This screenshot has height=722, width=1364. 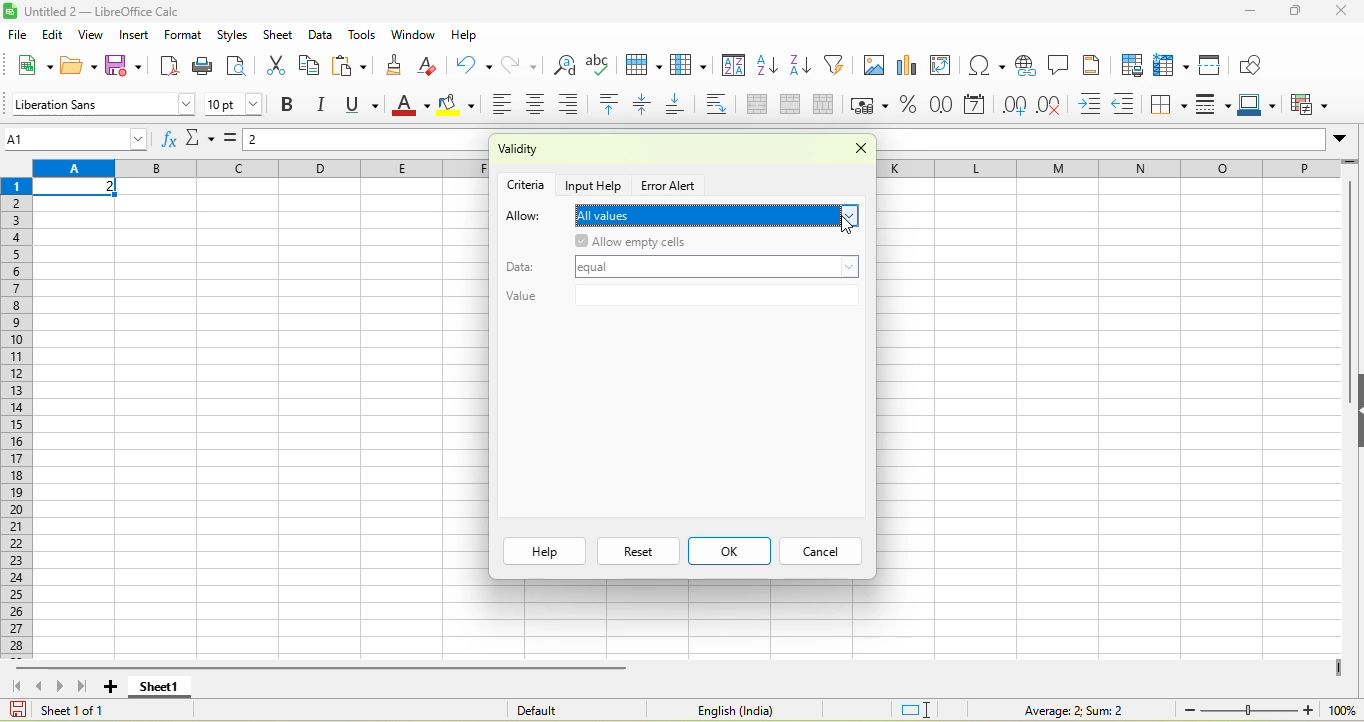 I want to click on function wizard, so click(x=169, y=139).